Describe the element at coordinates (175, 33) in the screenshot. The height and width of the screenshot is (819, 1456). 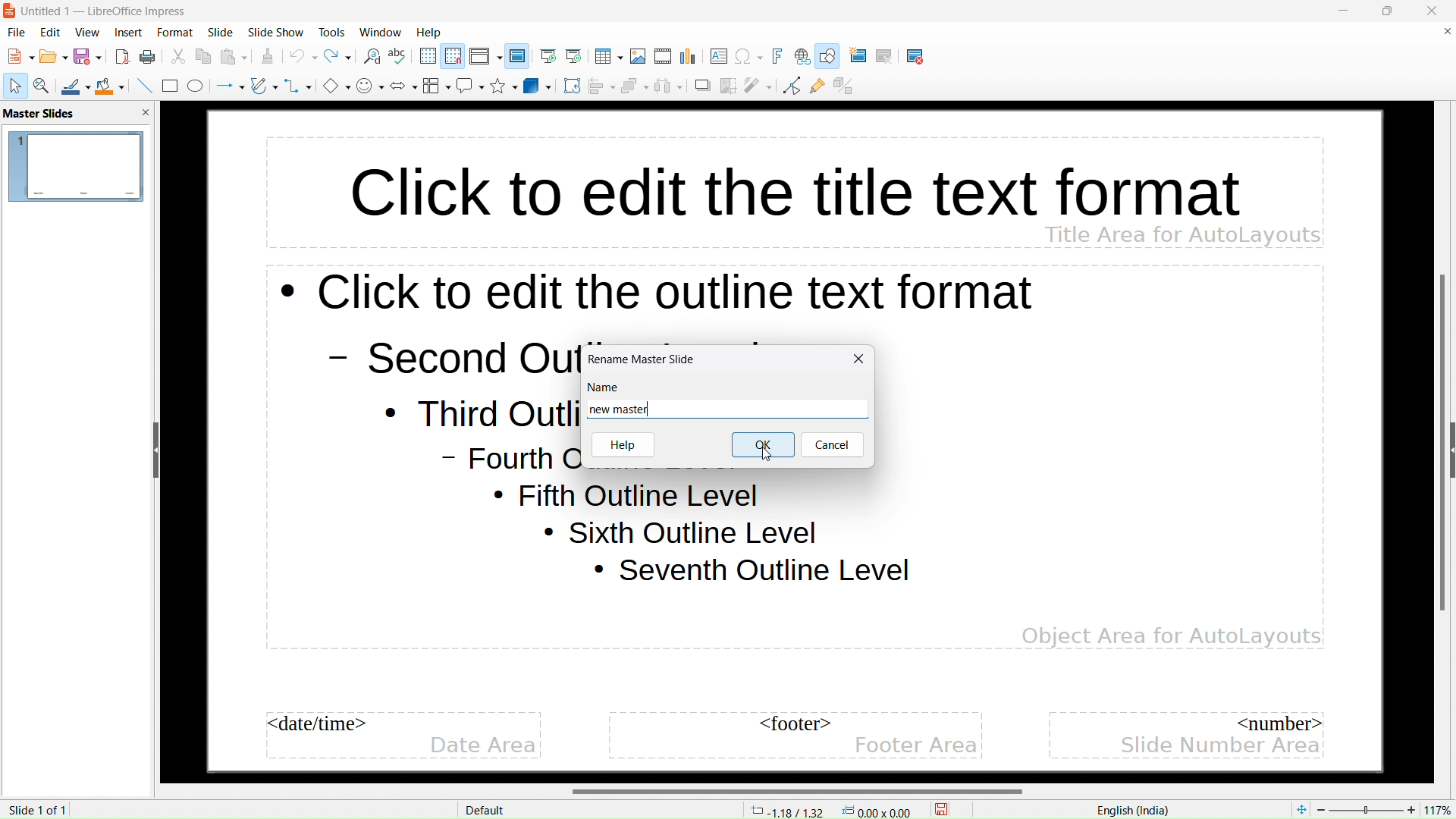
I see `format` at that location.